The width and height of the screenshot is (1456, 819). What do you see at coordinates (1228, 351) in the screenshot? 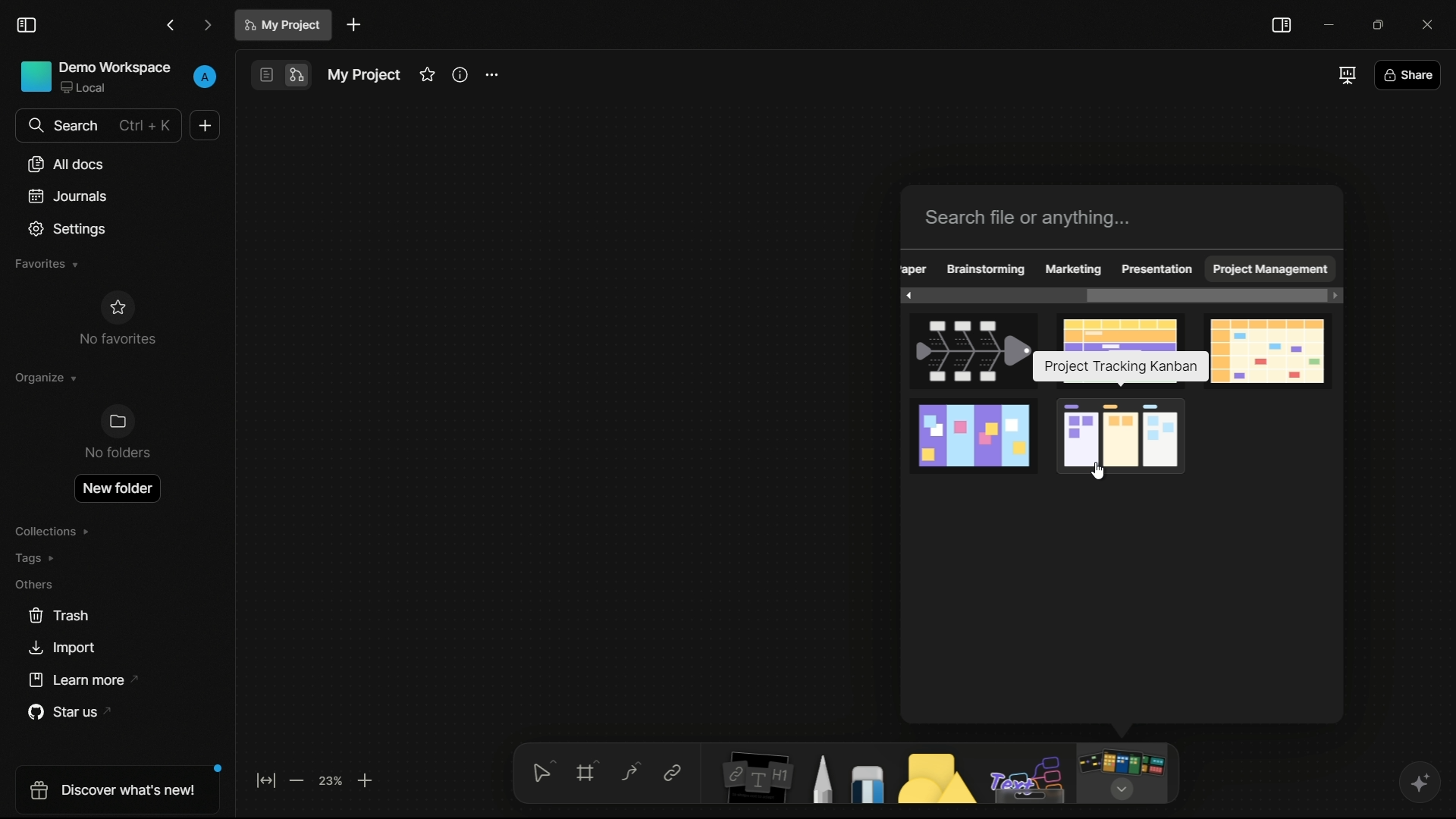
I see `monthly calendar template` at bounding box center [1228, 351].